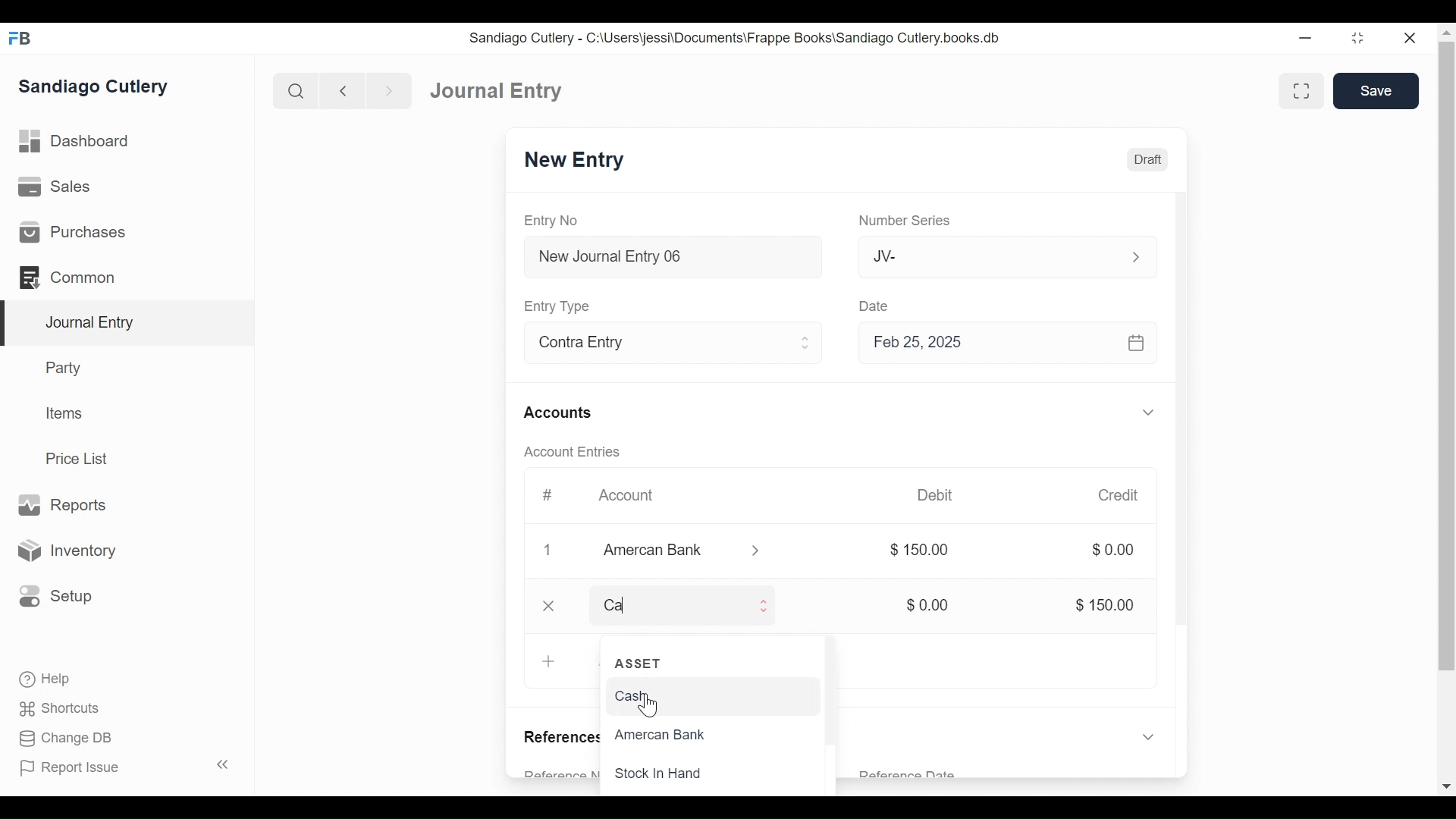 The width and height of the screenshot is (1456, 819). What do you see at coordinates (549, 605) in the screenshot?
I see `close` at bounding box center [549, 605].